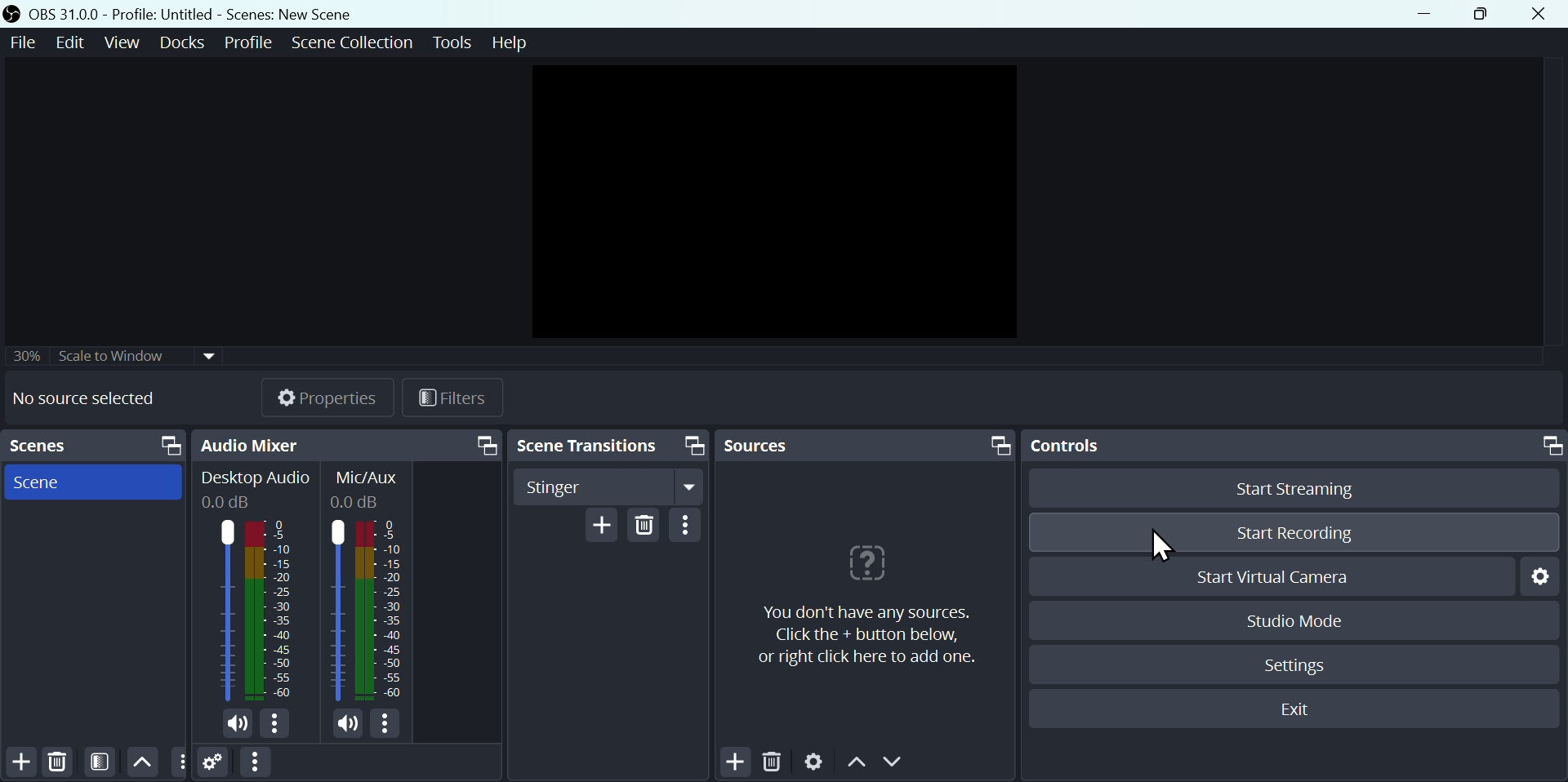  I want to click on options, so click(385, 726).